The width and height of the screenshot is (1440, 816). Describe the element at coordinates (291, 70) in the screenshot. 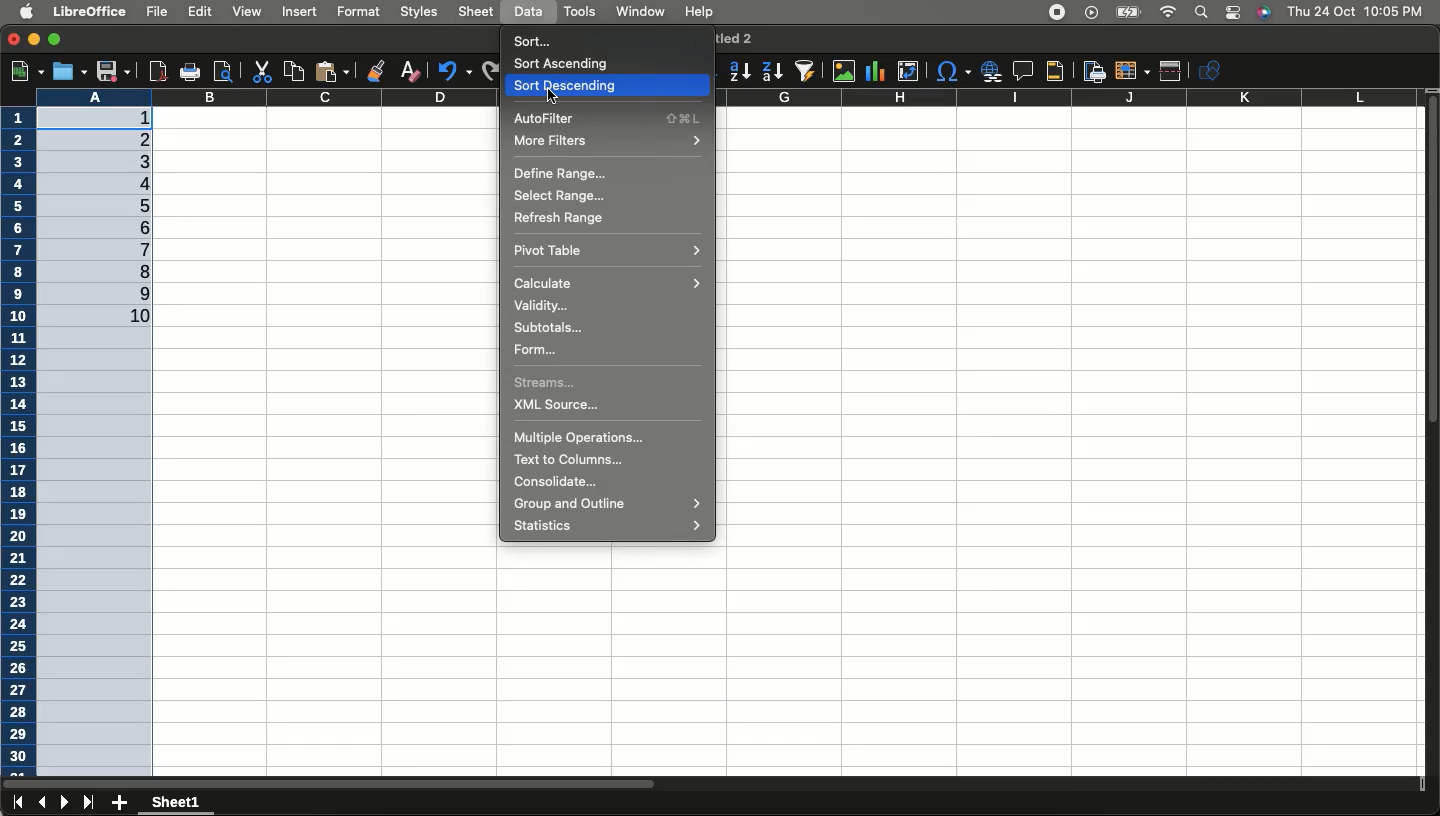

I see `Copy` at that location.